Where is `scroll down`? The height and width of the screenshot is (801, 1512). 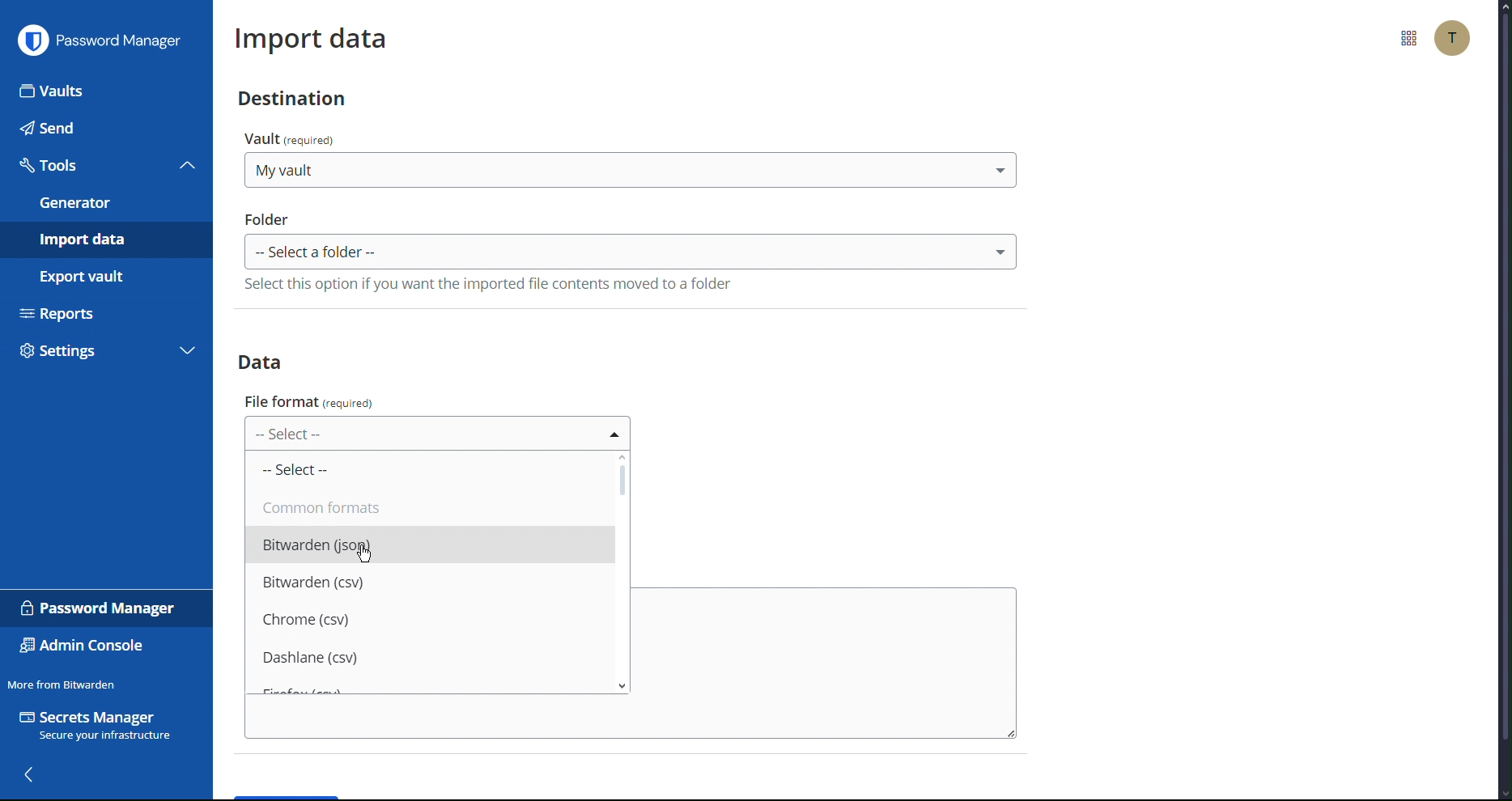 scroll down is located at coordinates (623, 684).